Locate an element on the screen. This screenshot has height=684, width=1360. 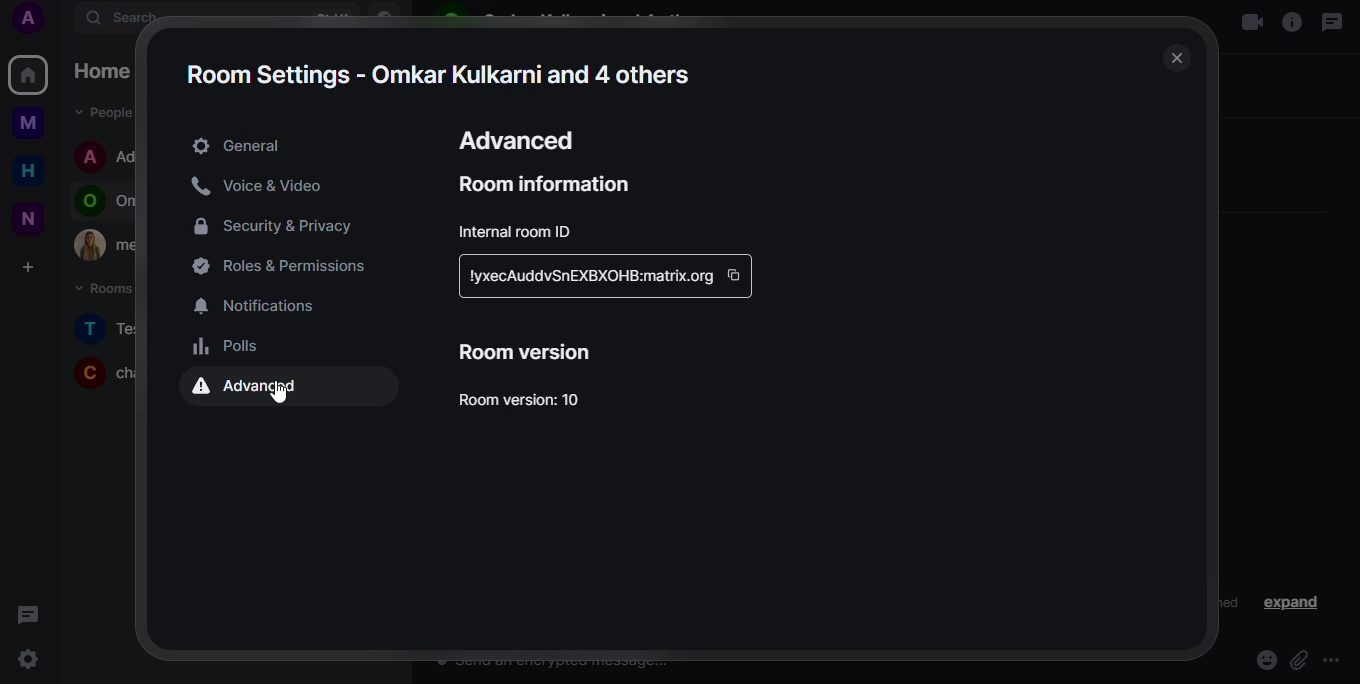
internal room id is located at coordinates (517, 231).